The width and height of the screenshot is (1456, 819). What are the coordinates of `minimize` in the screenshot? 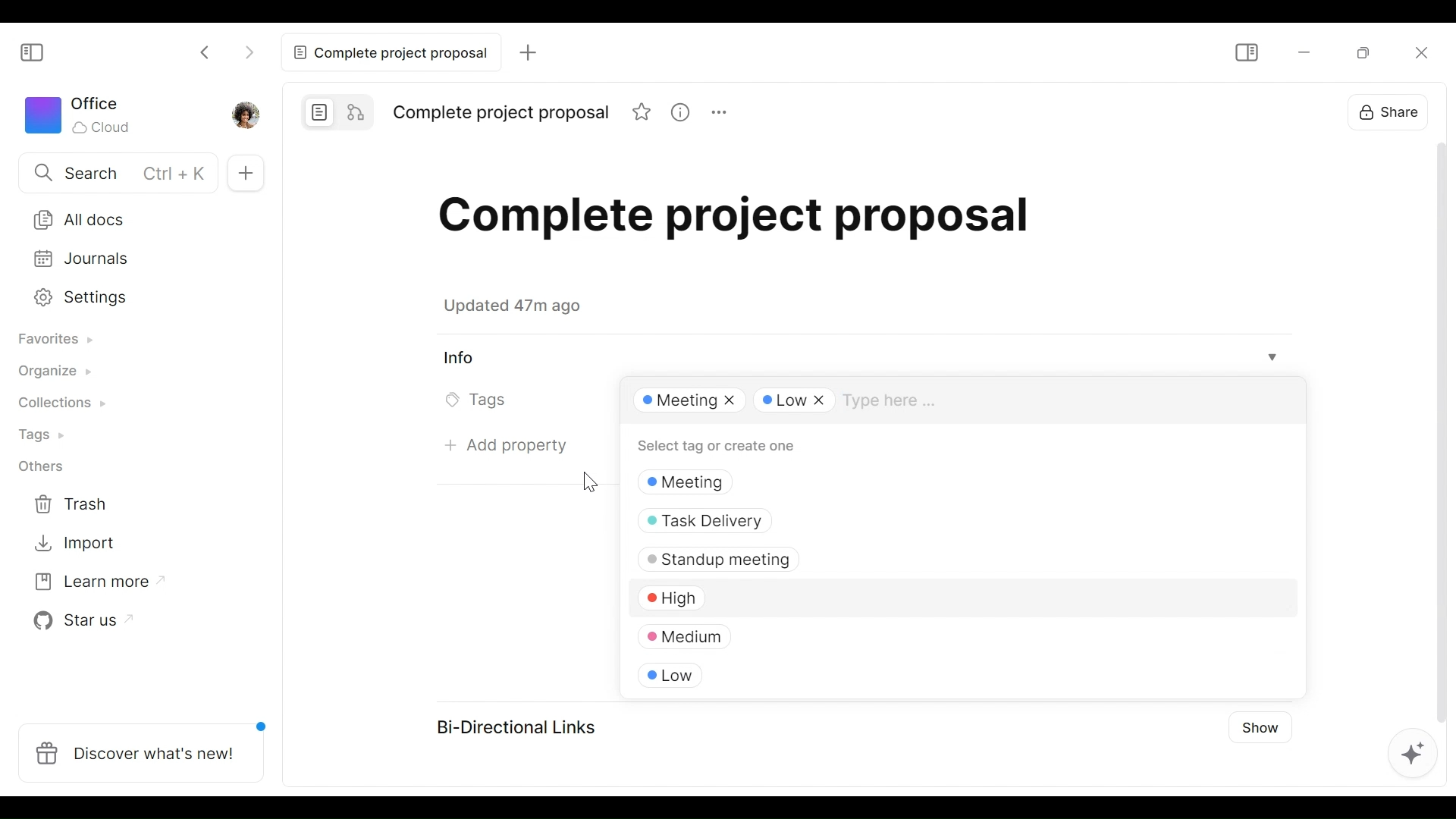 It's located at (1302, 52).